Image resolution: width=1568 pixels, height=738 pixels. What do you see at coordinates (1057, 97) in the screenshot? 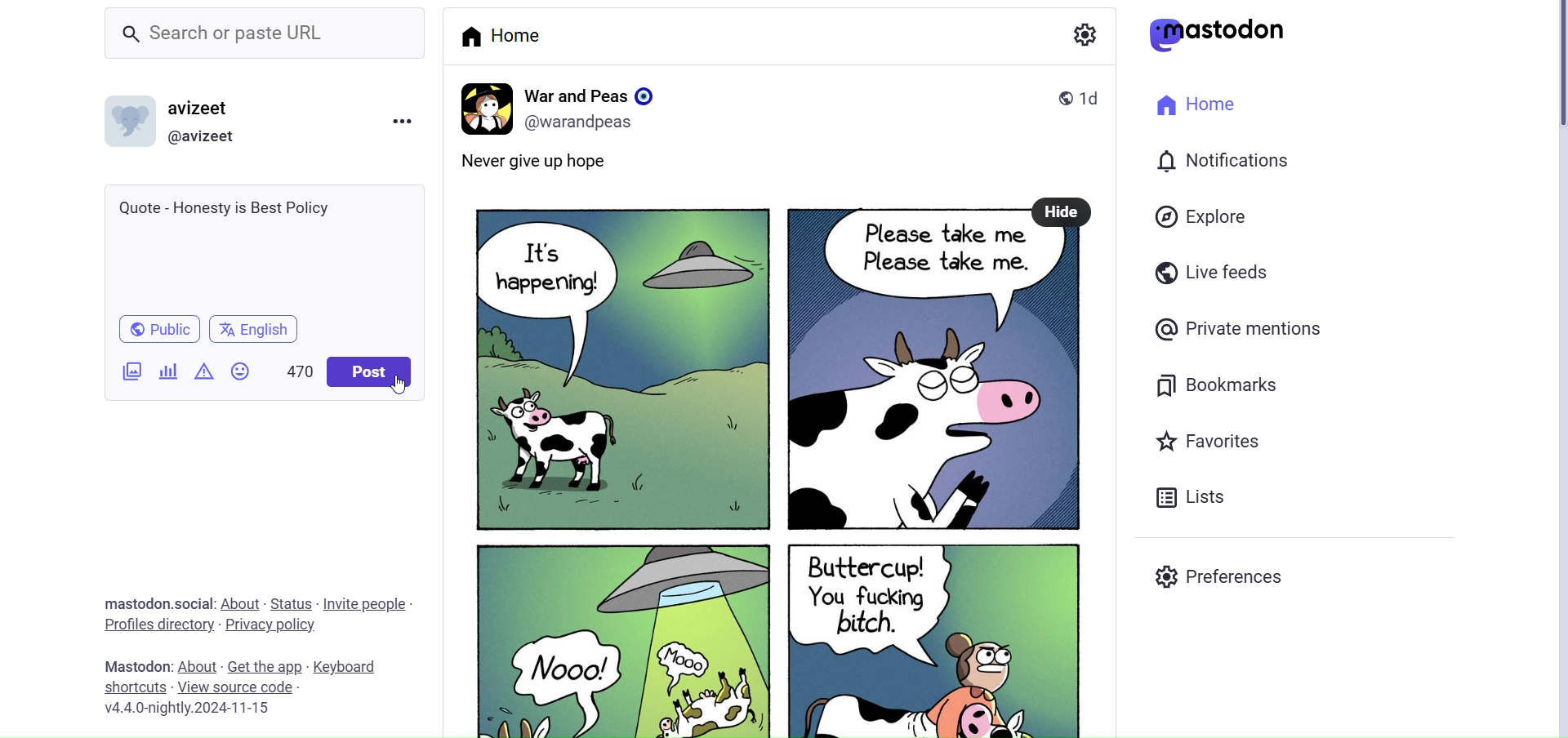
I see `public post` at bounding box center [1057, 97].